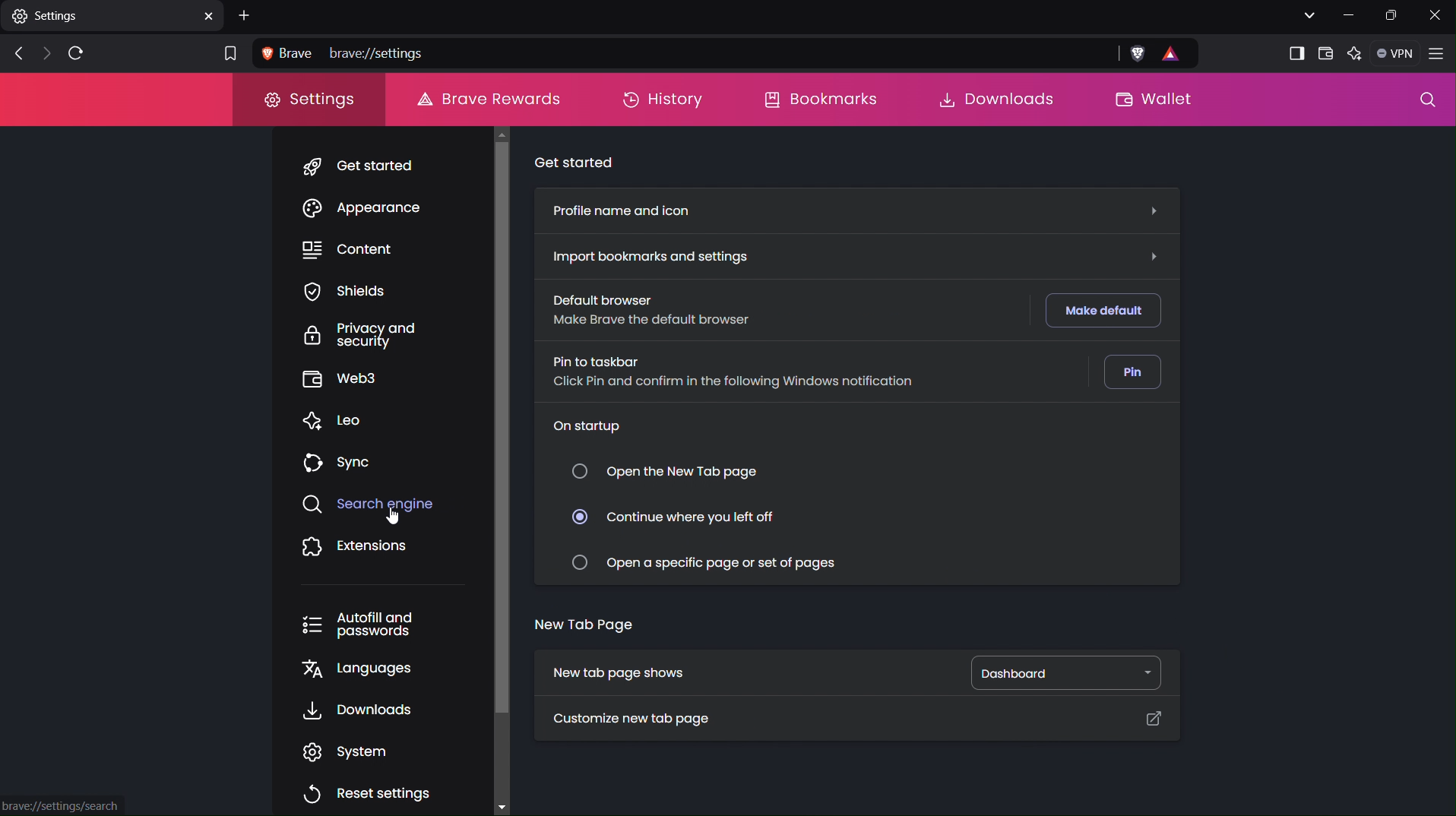  Describe the element at coordinates (340, 419) in the screenshot. I see `Leo` at that location.